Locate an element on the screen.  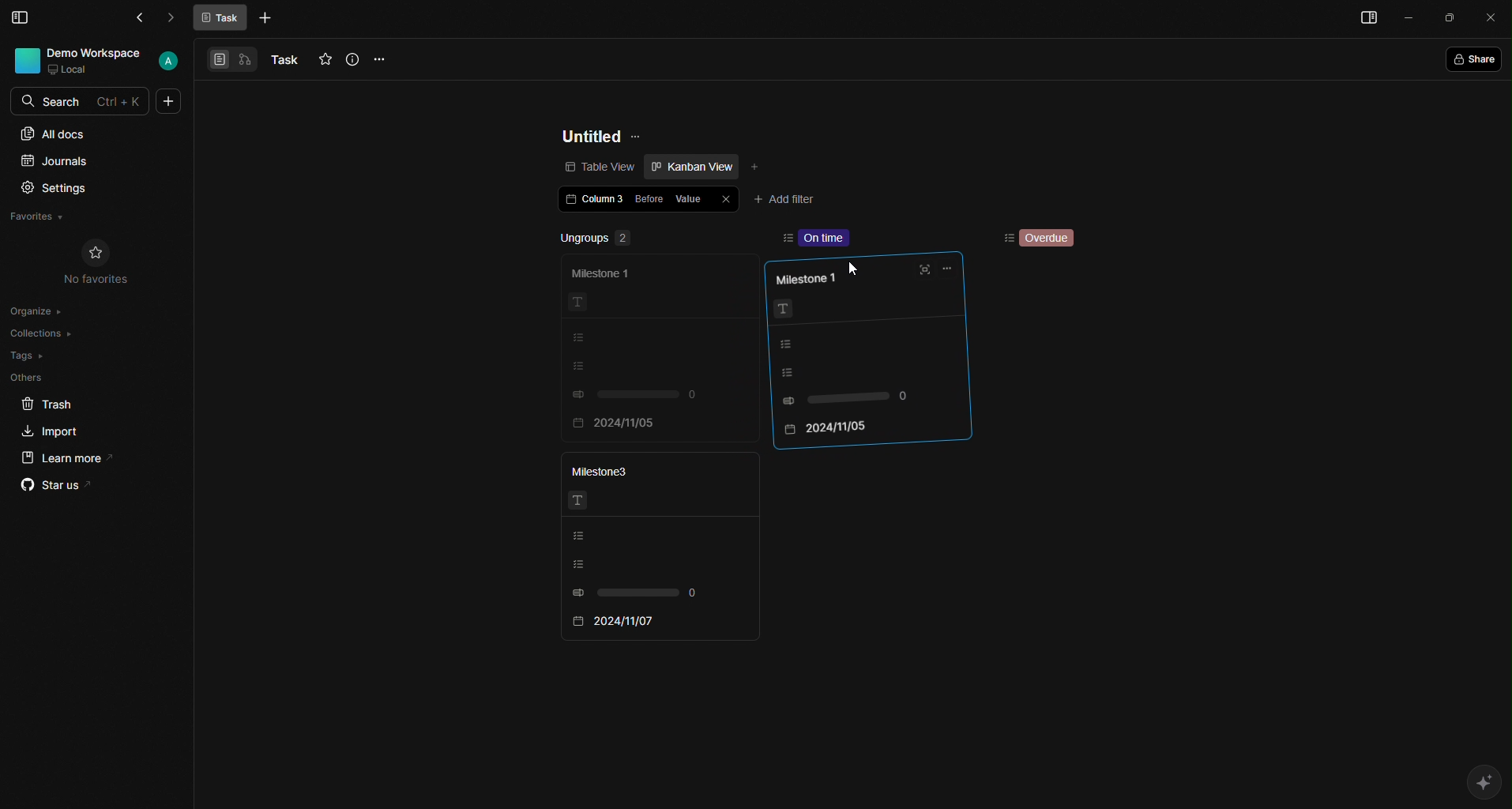
Add is located at coordinates (758, 165).